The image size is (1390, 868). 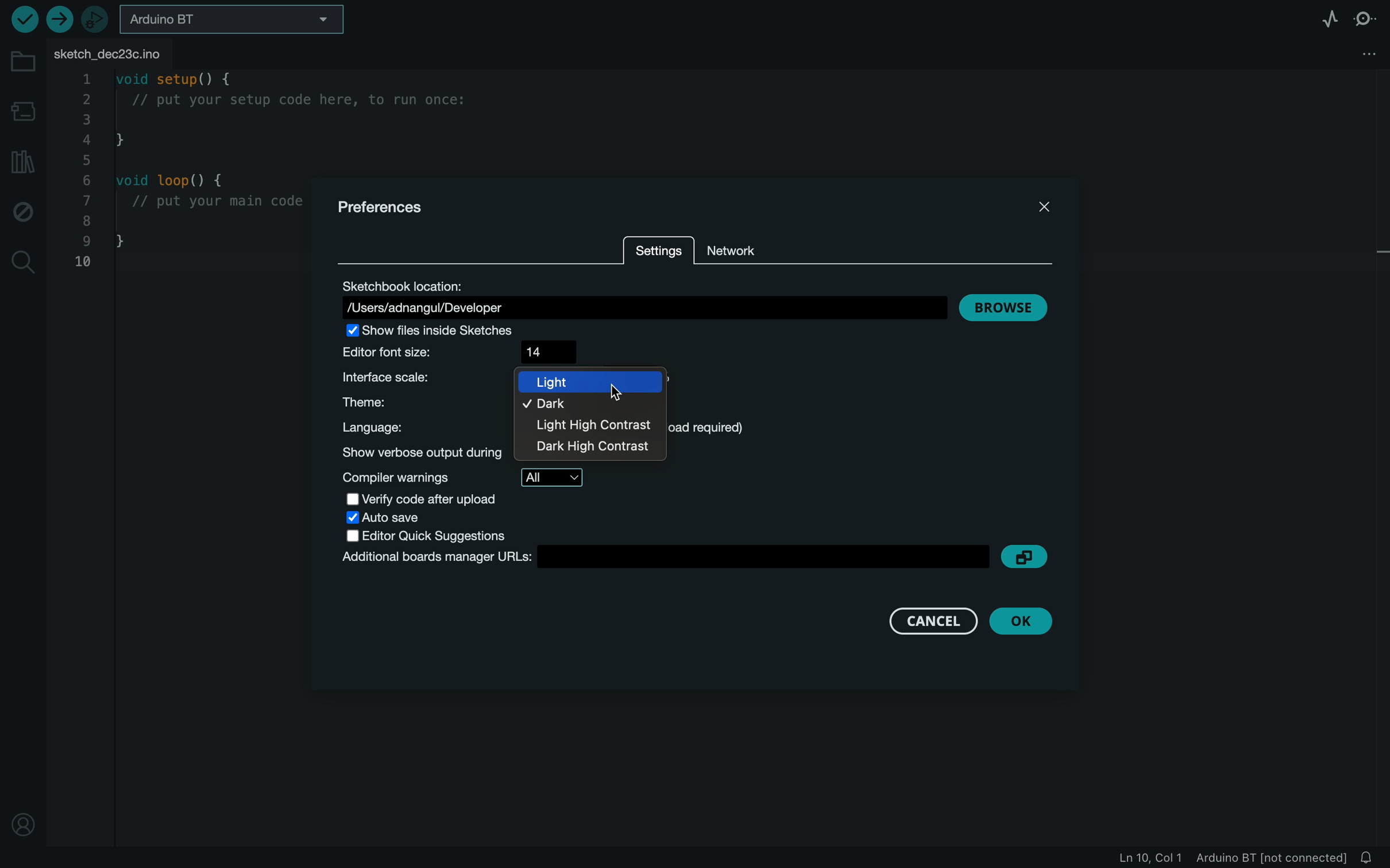 What do you see at coordinates (592, 427) in the screenshot?
I see `light high contrast` at bounding box center [592, 427].